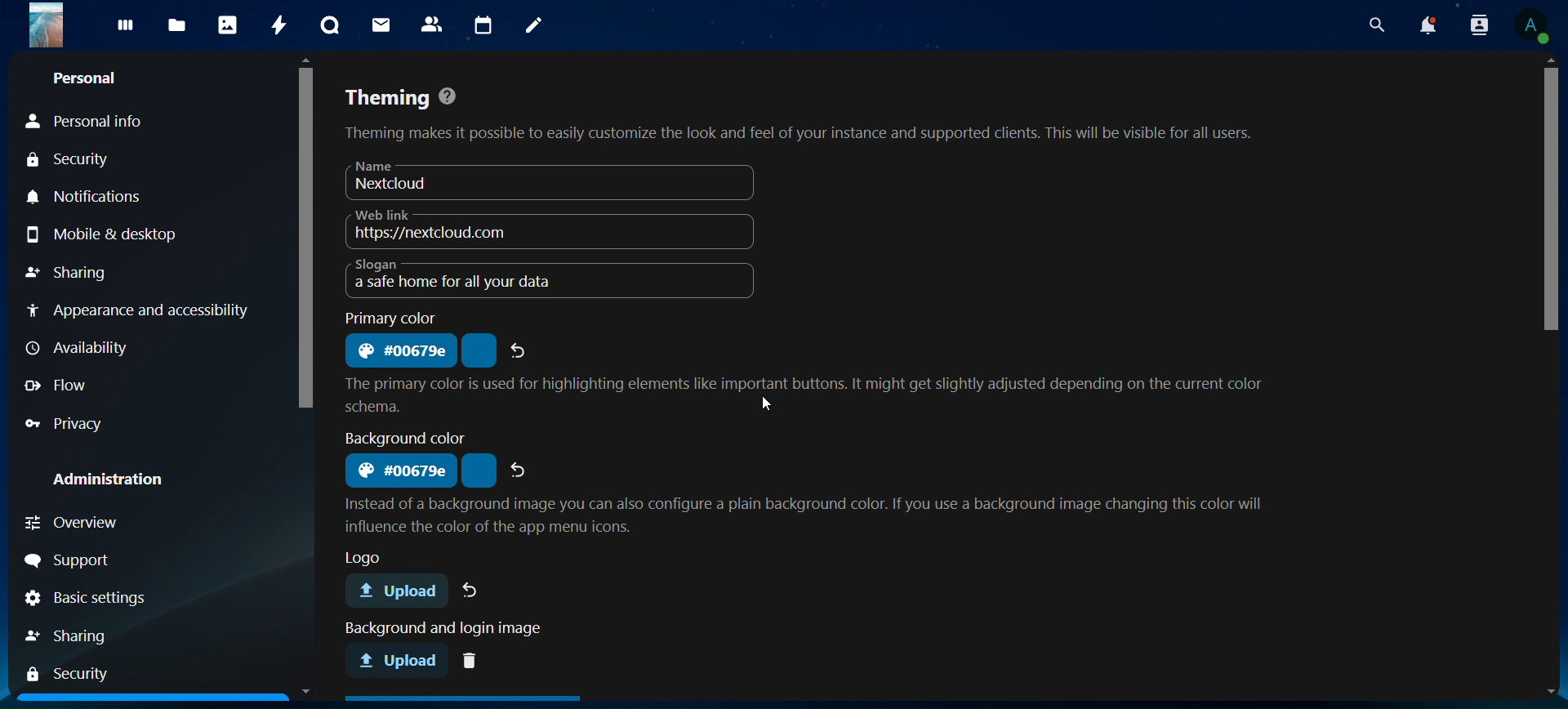 The width and height of the screenshot is (1568, 709). I want to click on privacy, so click(69, 421).